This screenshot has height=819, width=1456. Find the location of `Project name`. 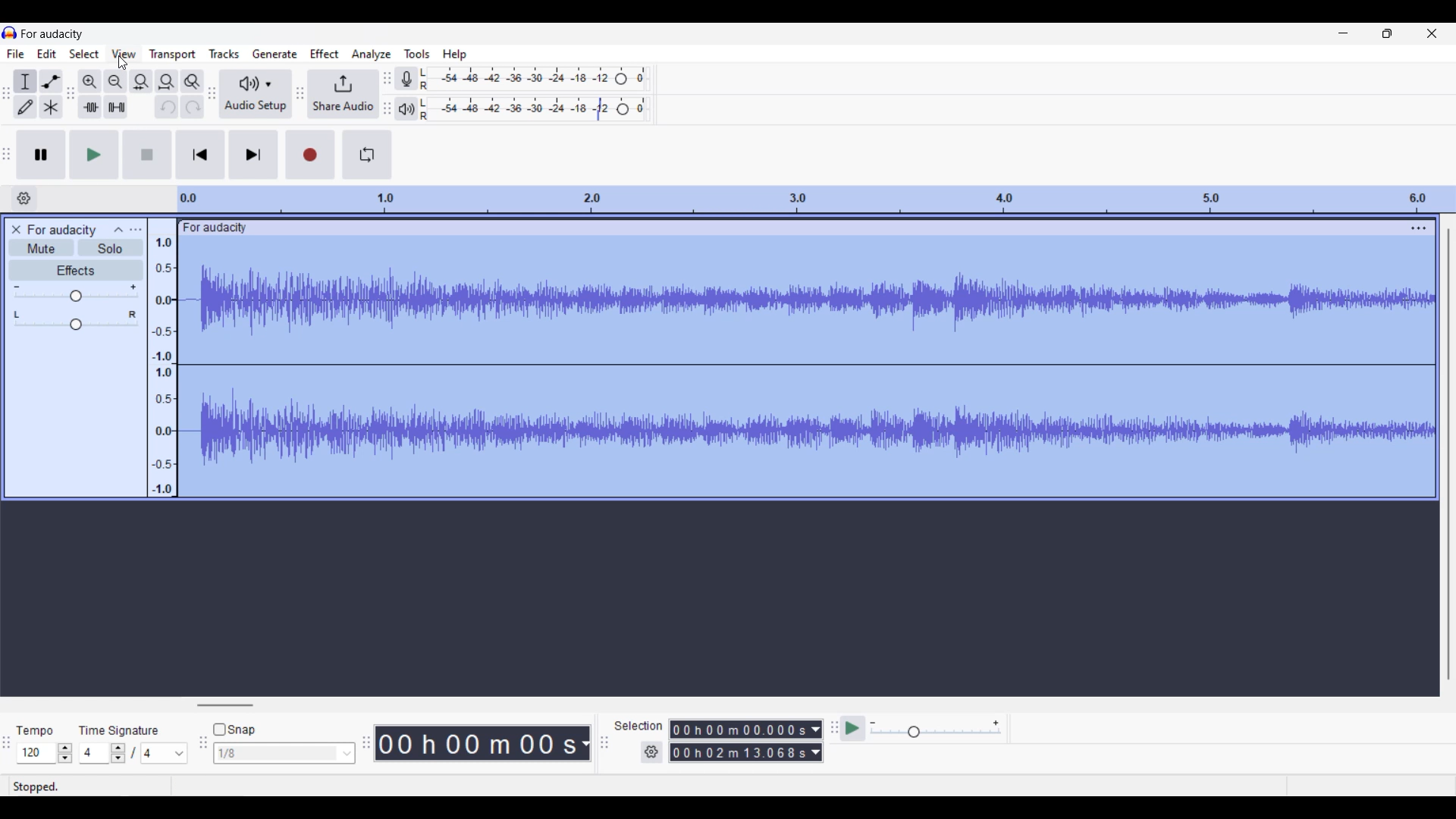

Project name is located at coordinates (229, 227).